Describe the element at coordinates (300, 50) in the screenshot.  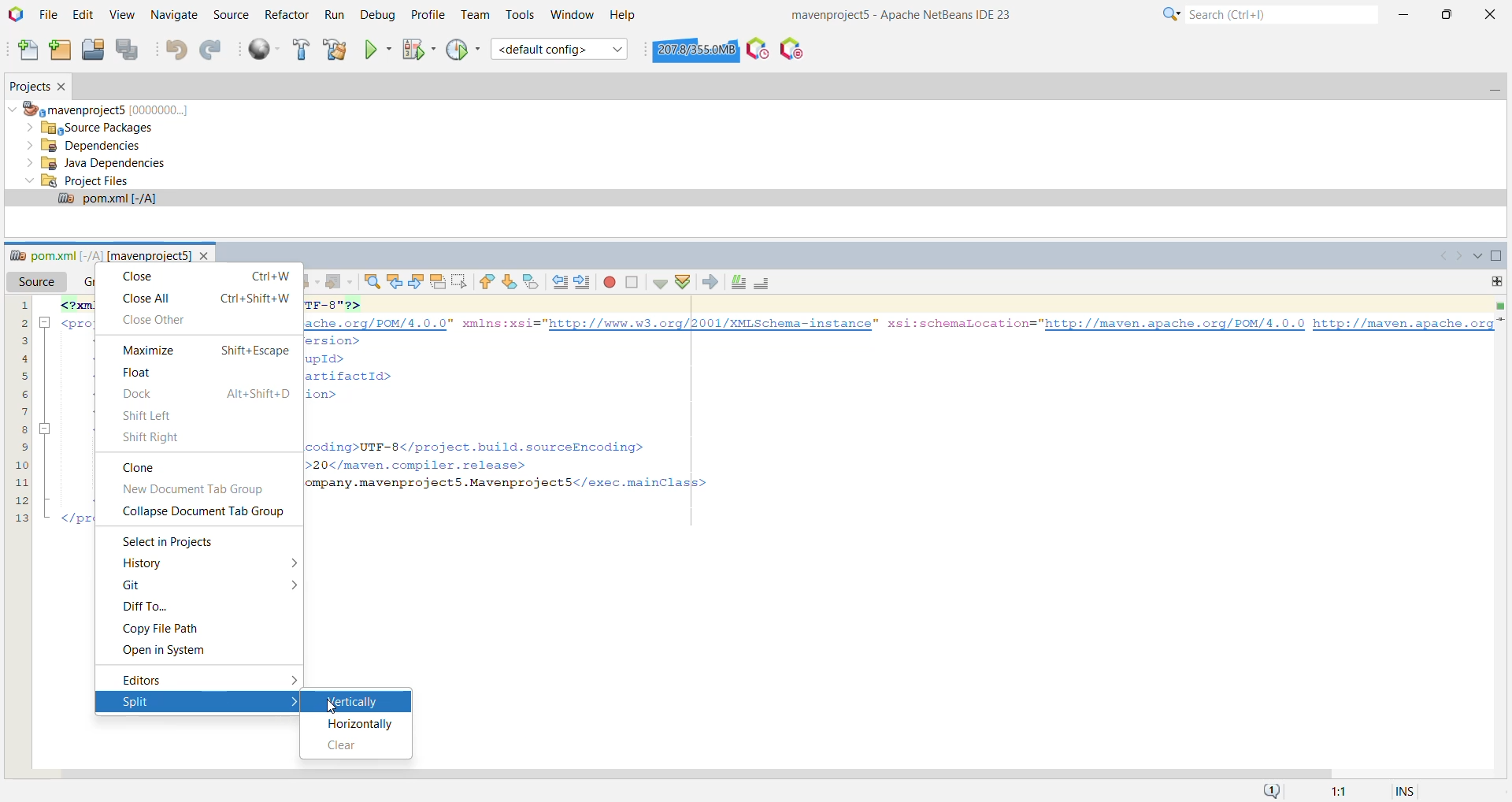
I see `Build Project` at that location.